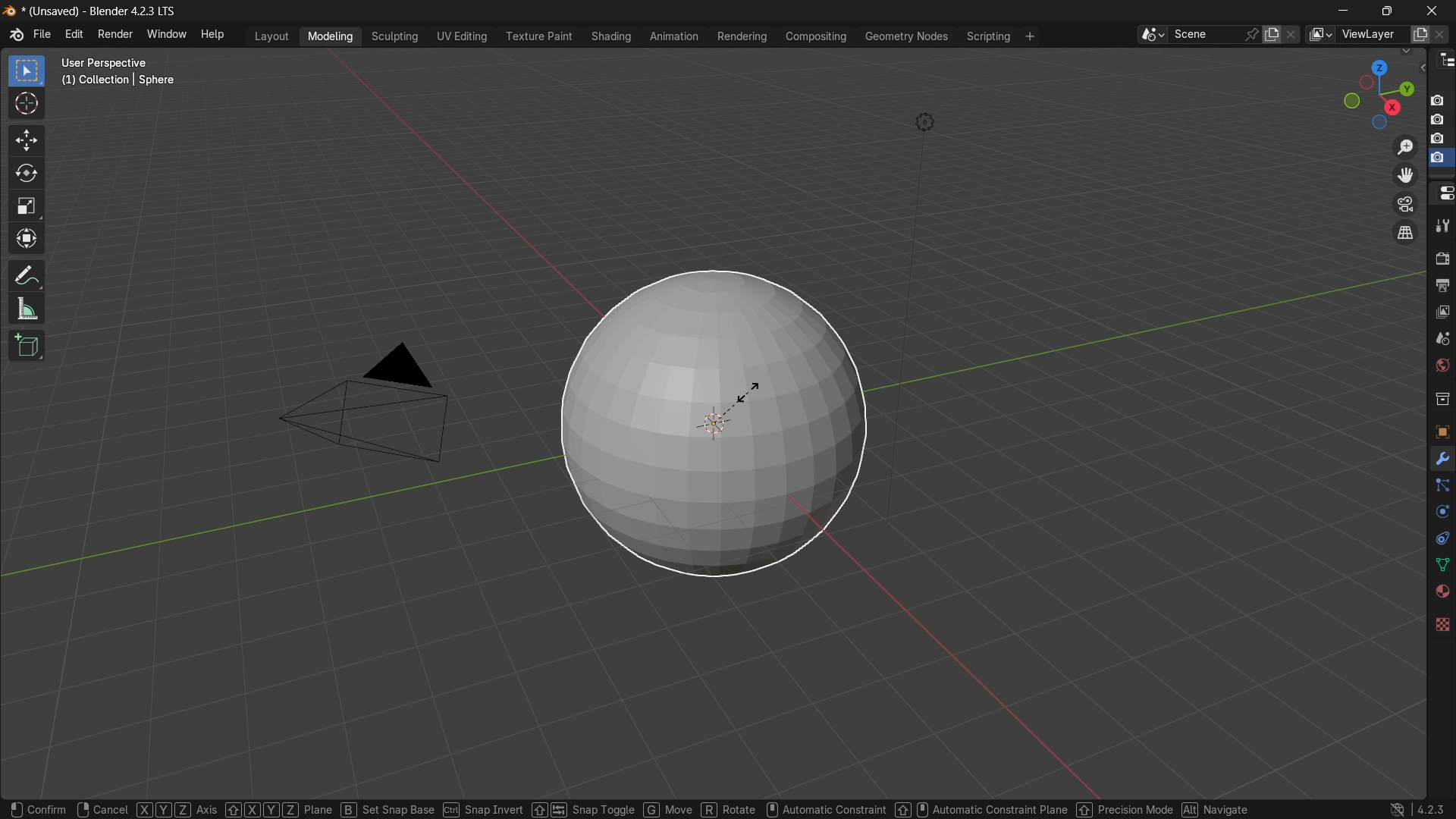  What do you see at coordinates (114, 34) in the screenshot?
I see `render menu` at bounding box center [114, 34].